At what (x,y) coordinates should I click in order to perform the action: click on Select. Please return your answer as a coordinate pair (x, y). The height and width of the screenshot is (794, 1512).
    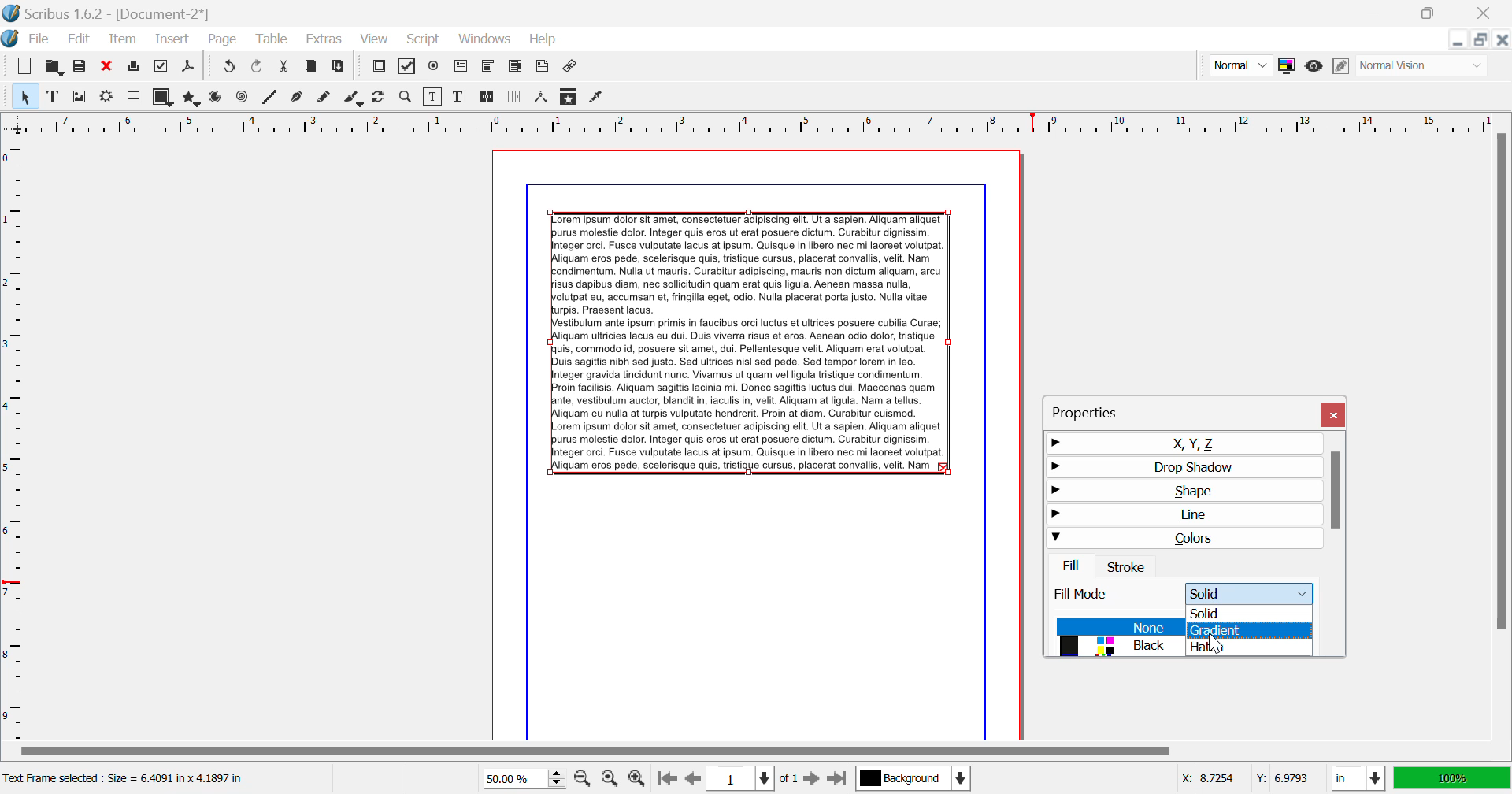
    Looking at the image, I should click on (24, 95).